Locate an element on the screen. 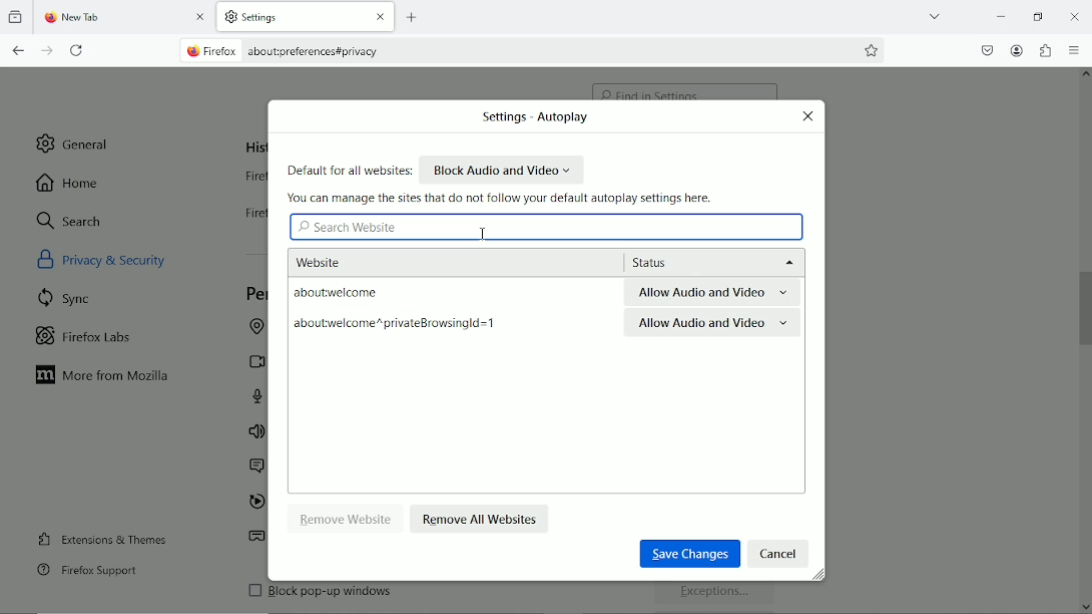 The width and height of the screenshot is (1092, 614). remove website is located at coordinates (347, 518).